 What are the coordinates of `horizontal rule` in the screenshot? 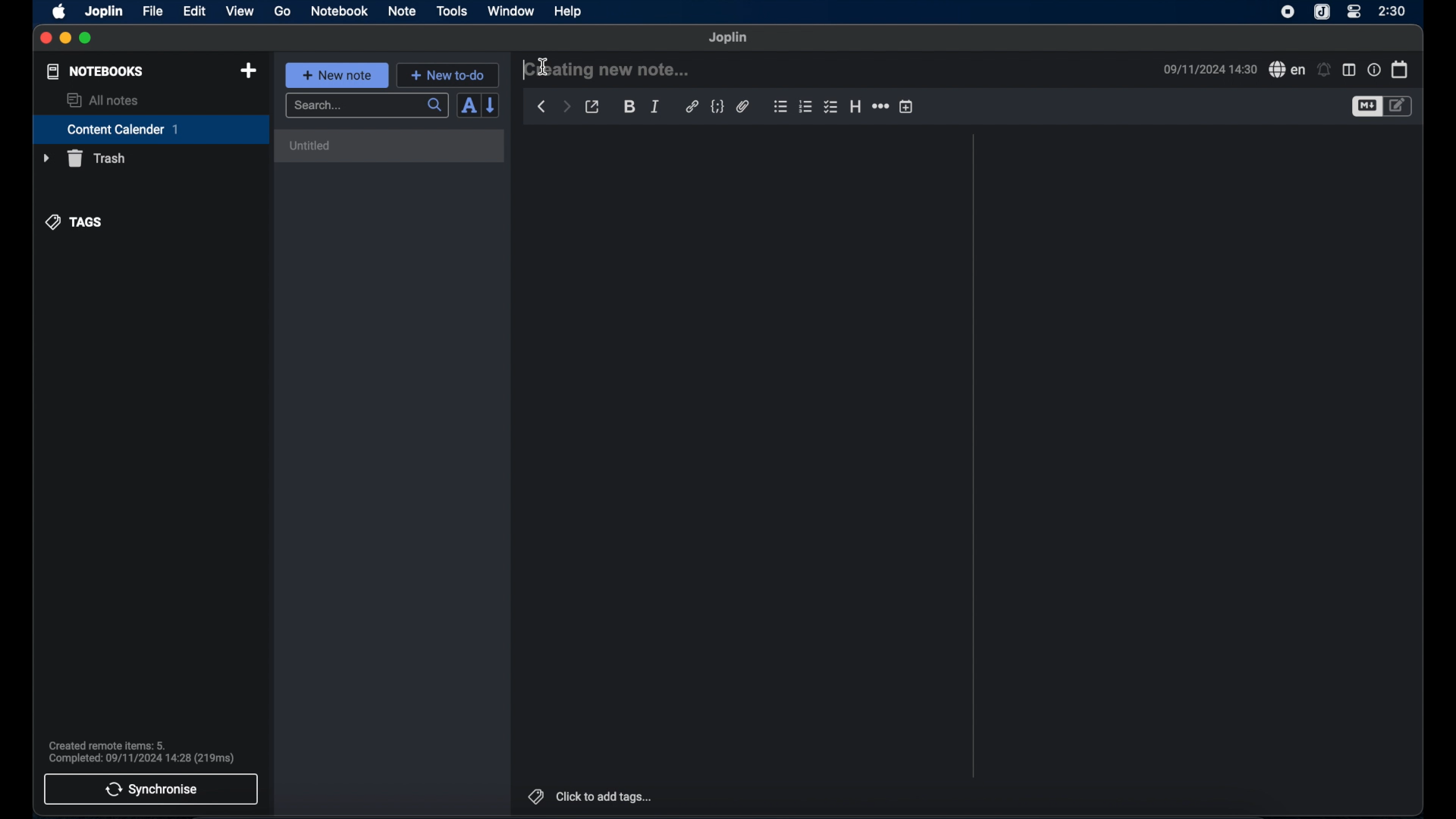 It's located at (882, 106).